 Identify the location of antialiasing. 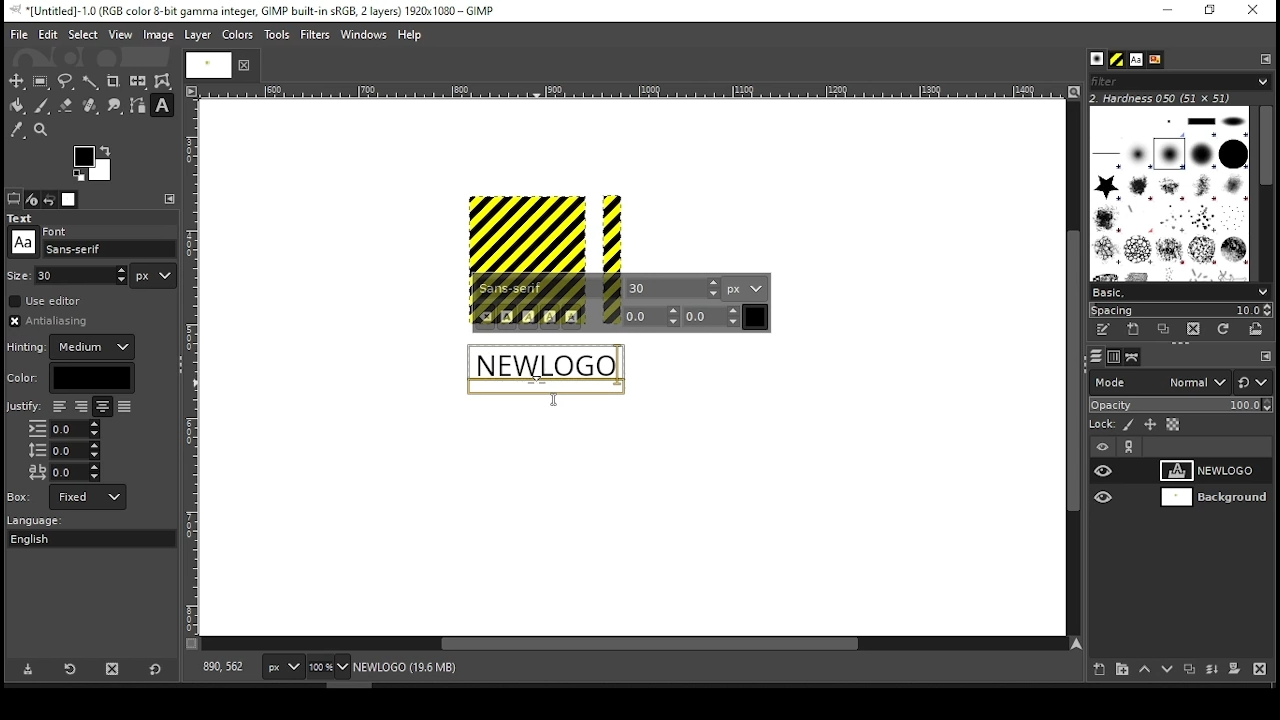
(54, 321).